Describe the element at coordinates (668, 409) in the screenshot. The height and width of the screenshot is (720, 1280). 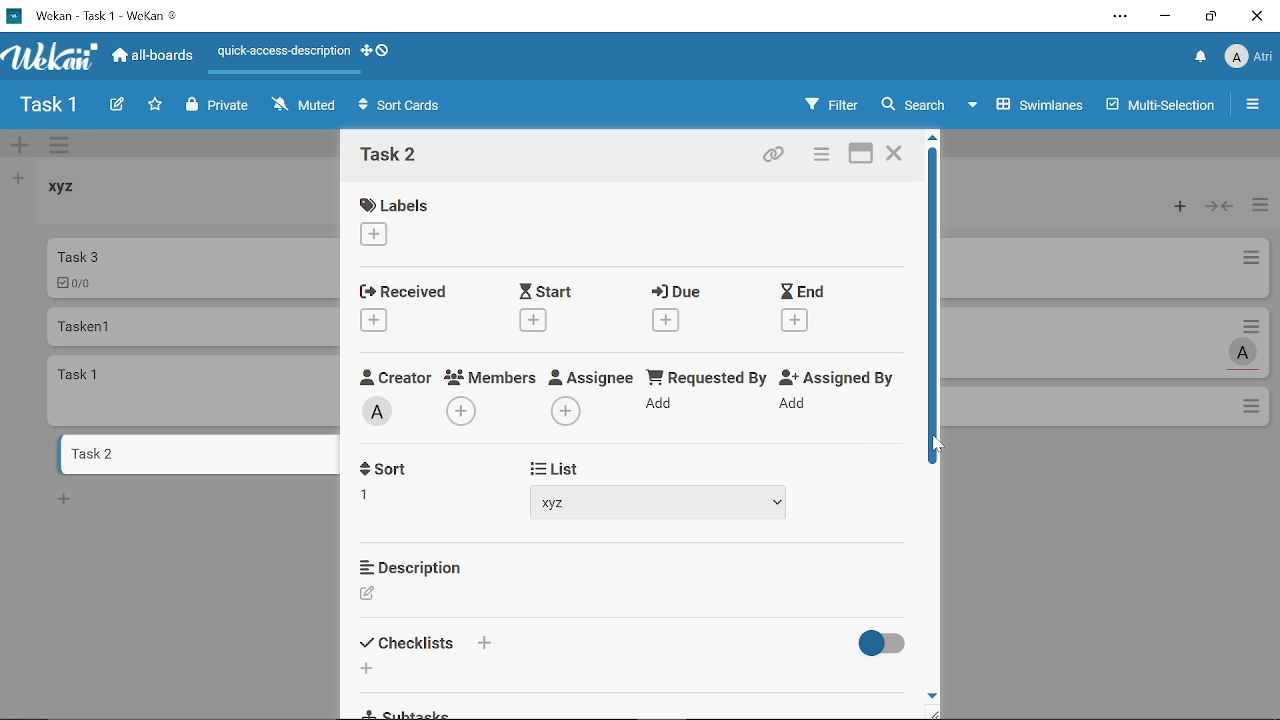
I see `Add requested by` at that location.